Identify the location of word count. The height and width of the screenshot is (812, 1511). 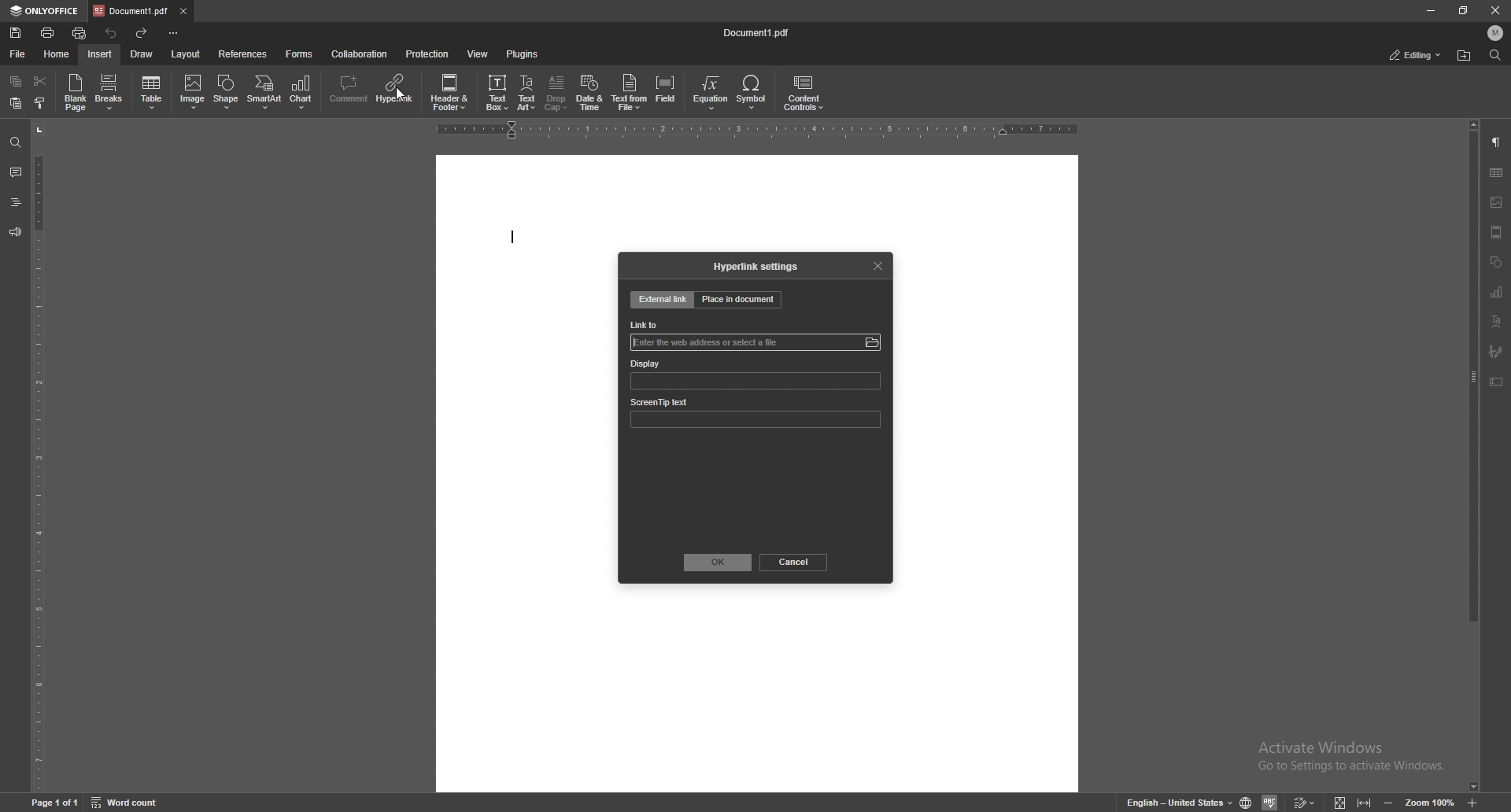
(127, 799).